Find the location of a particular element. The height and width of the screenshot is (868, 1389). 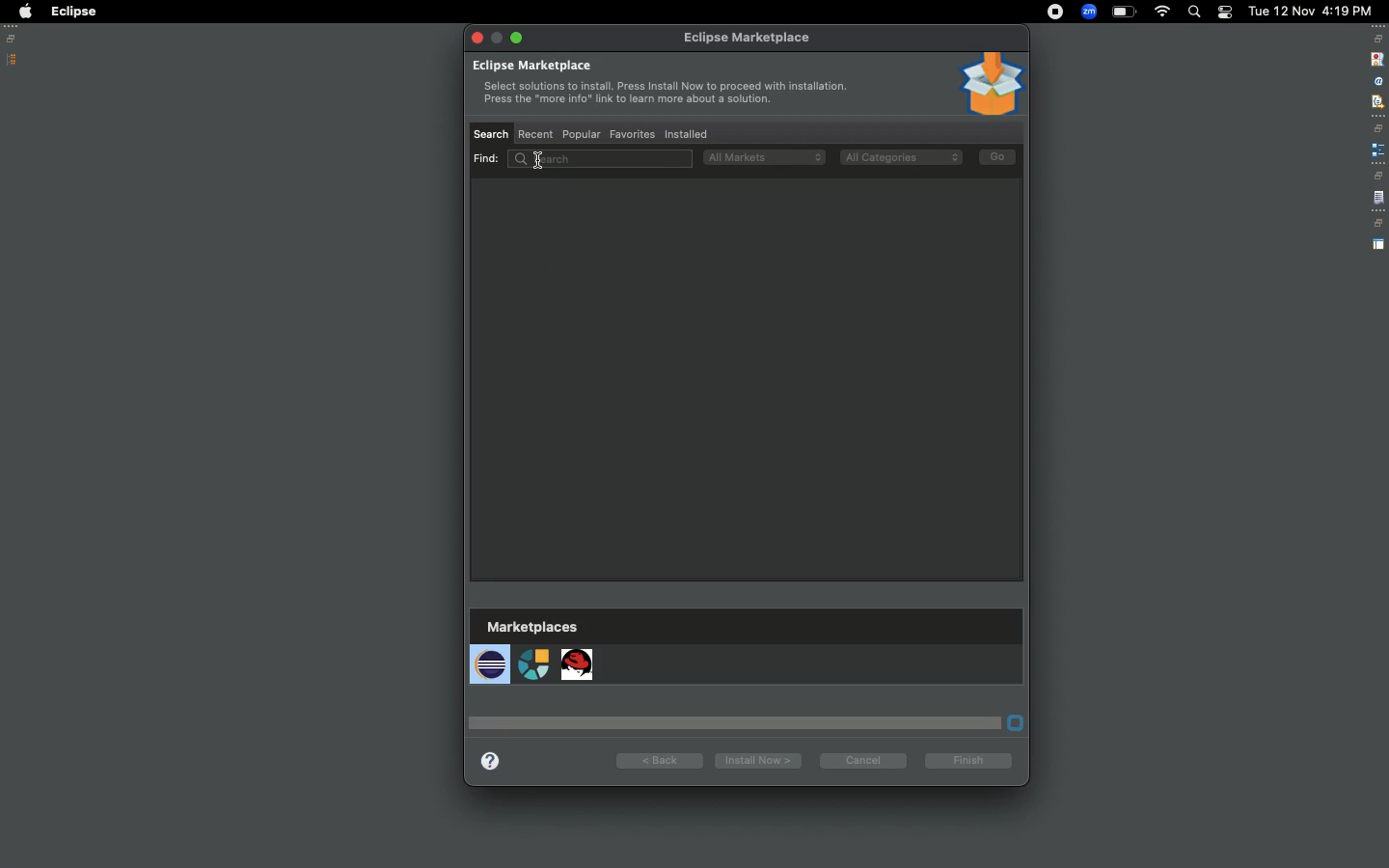

Search is located at coordinates (1193, 12).